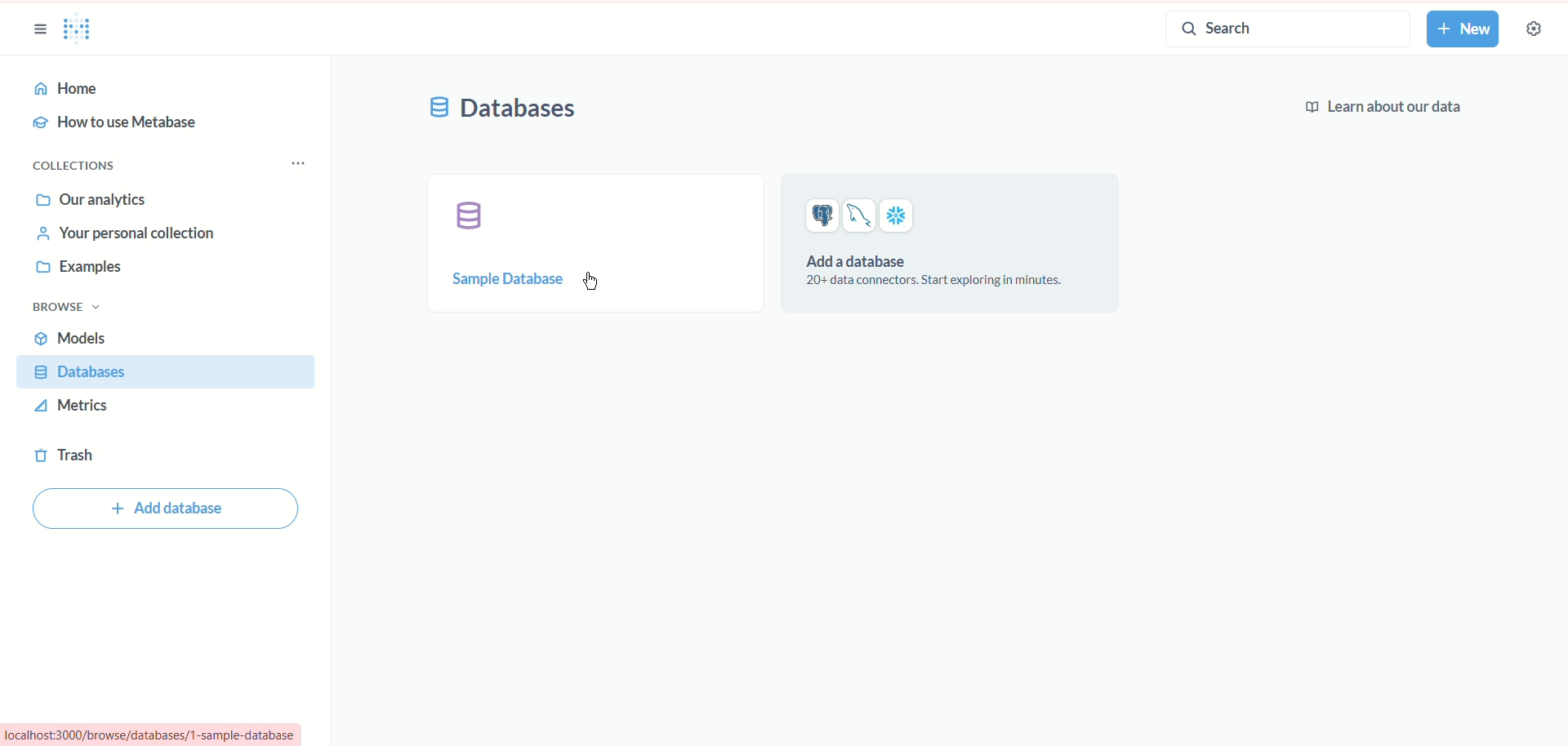 This screenshot has width=1568, height=746. I want to click on database, so click(504, 109).